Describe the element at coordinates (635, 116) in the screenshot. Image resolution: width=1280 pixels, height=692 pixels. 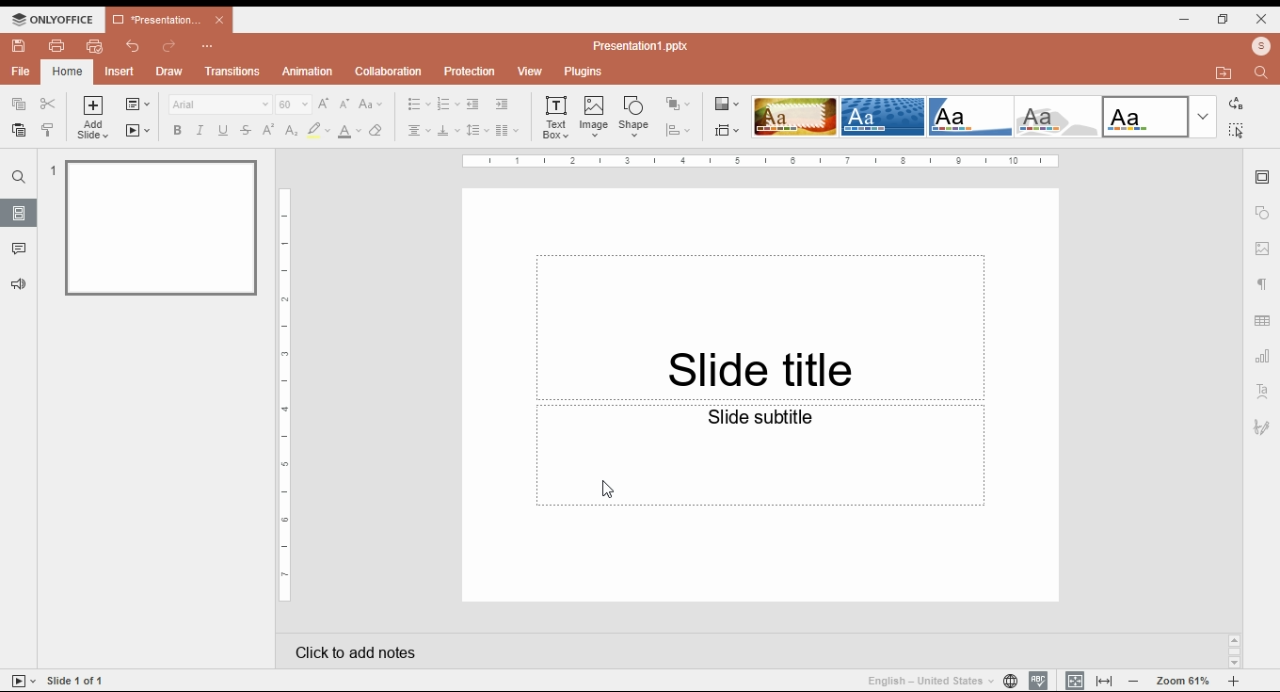
I see `insert shape` at that location.